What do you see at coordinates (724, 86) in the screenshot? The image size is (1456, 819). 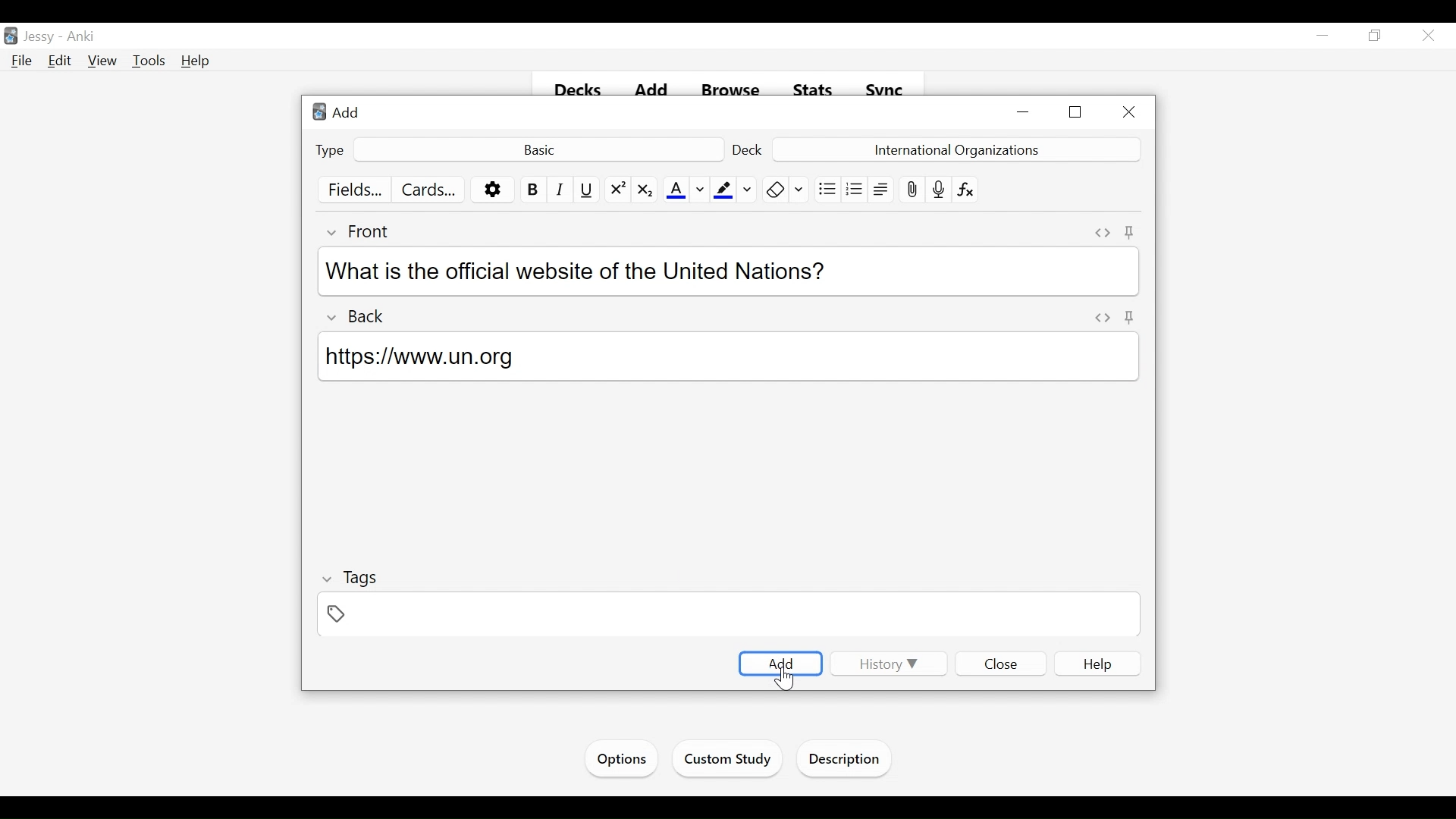 I see `Browse` at bounding box center [724, 86].